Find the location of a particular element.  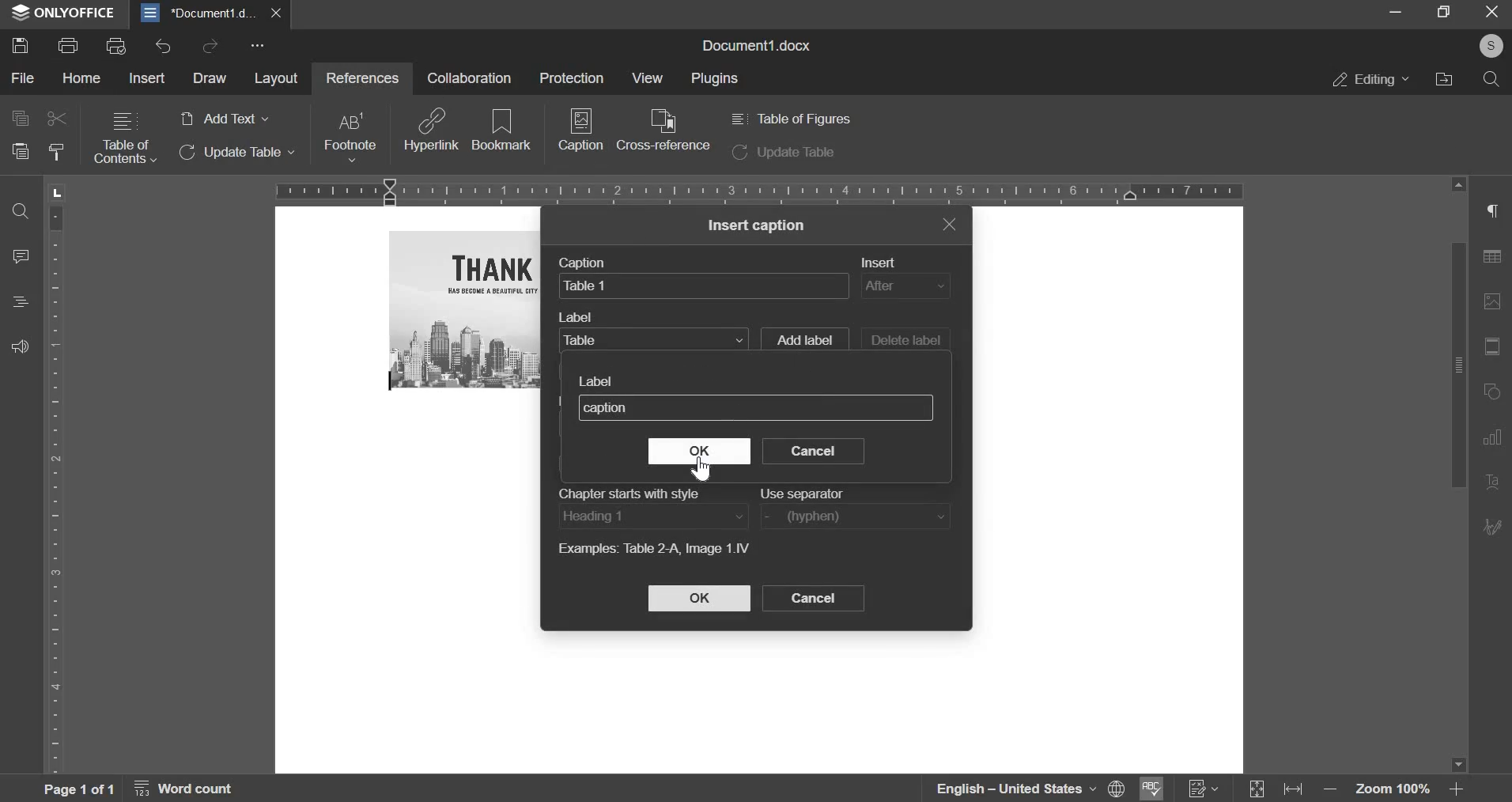

Chart is located at coordinates (1497, 437).